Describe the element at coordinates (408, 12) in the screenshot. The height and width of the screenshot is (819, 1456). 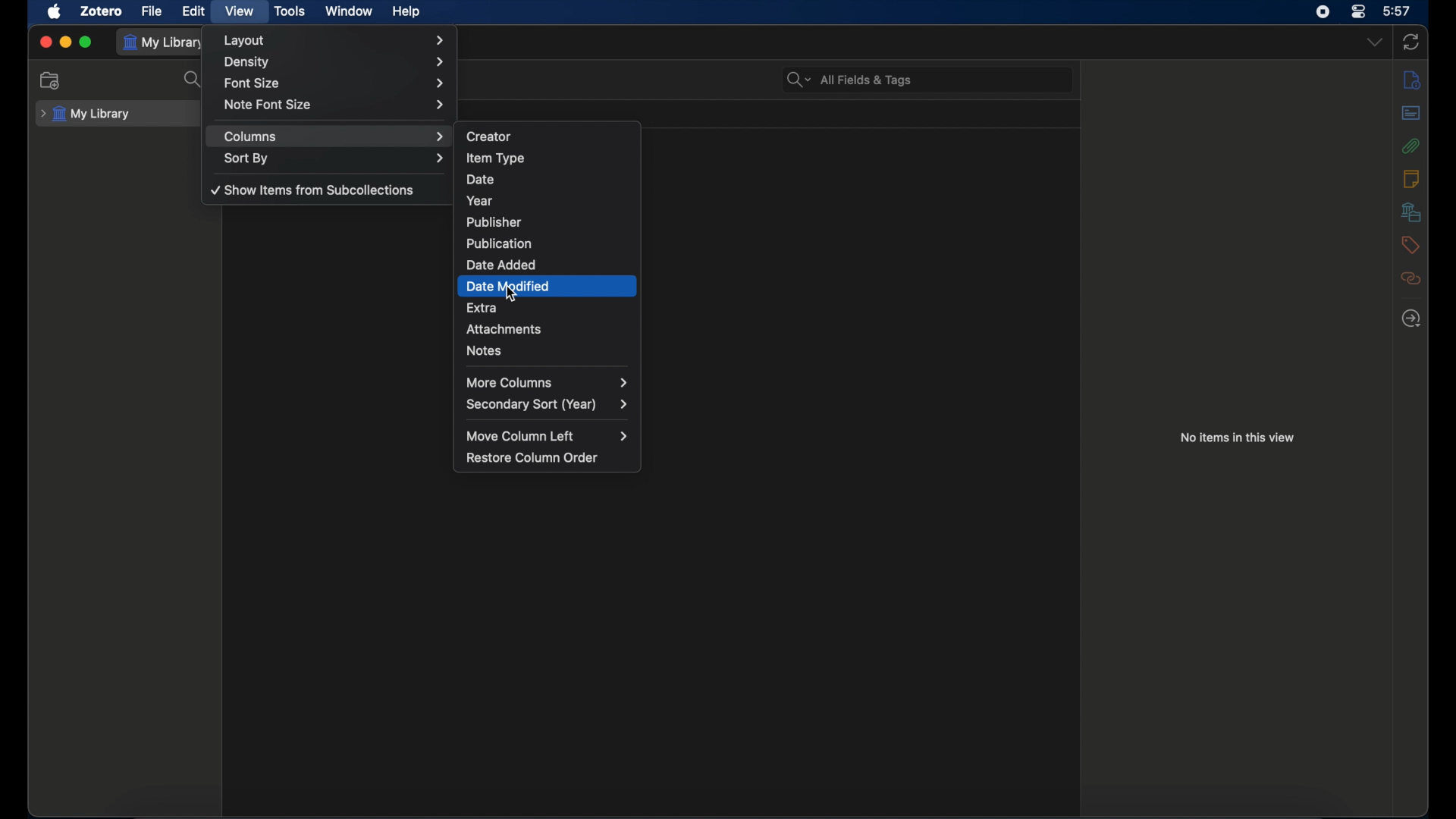
I see `help` at that location.